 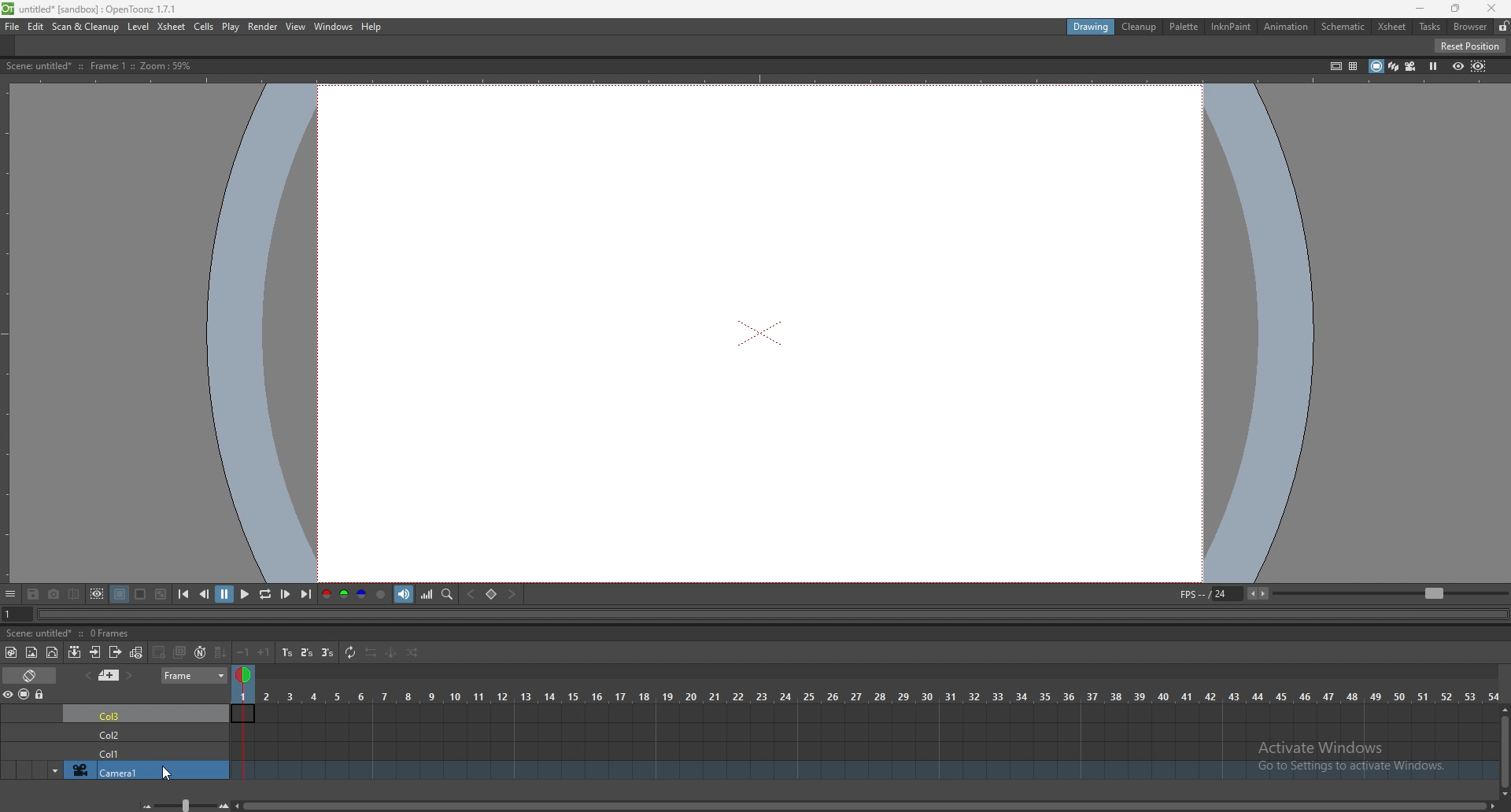 I want to click on reframe on 2s, so click(x=307, y=652).